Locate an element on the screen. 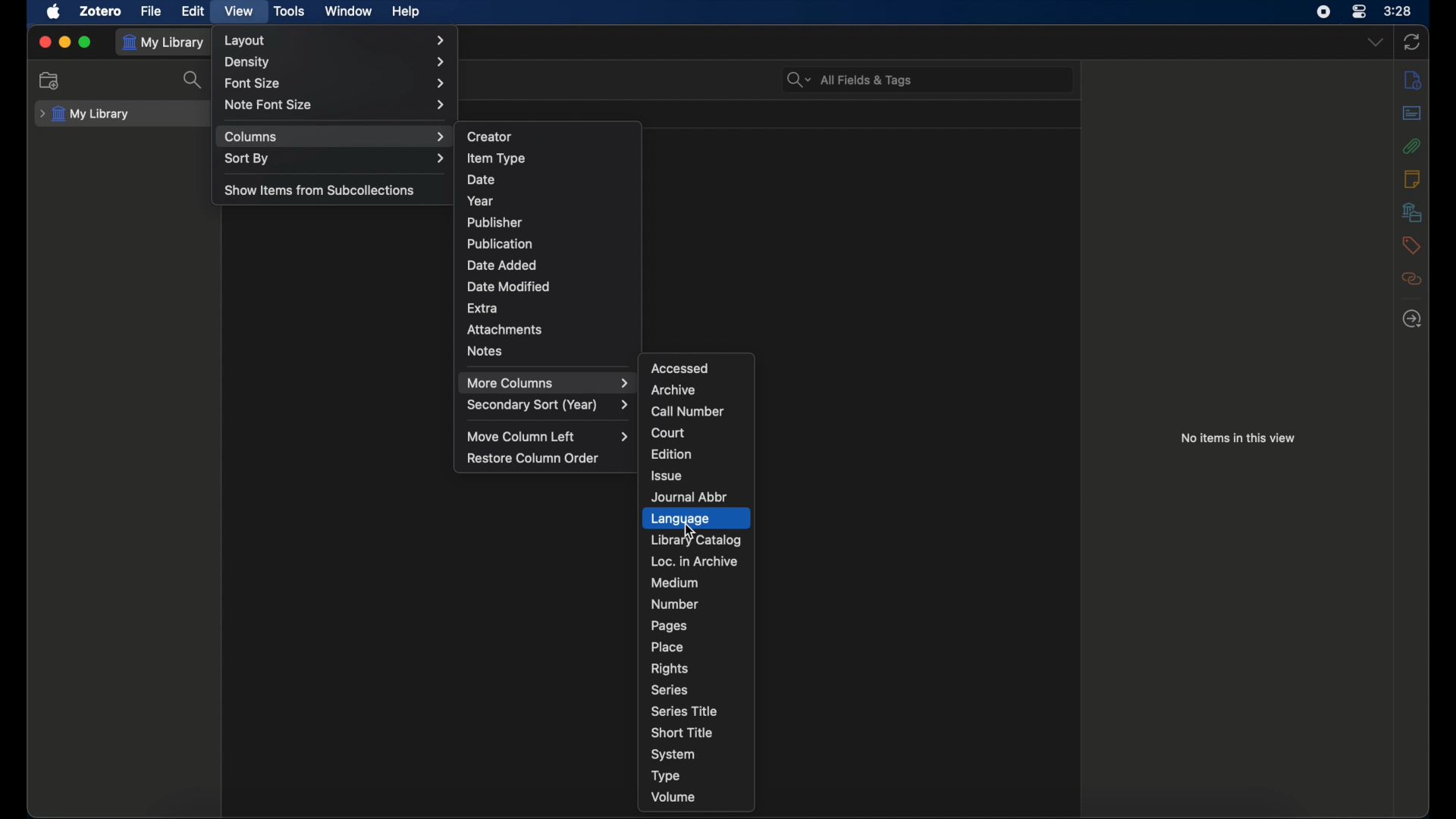  sync is located at coordinates (1412, 42).